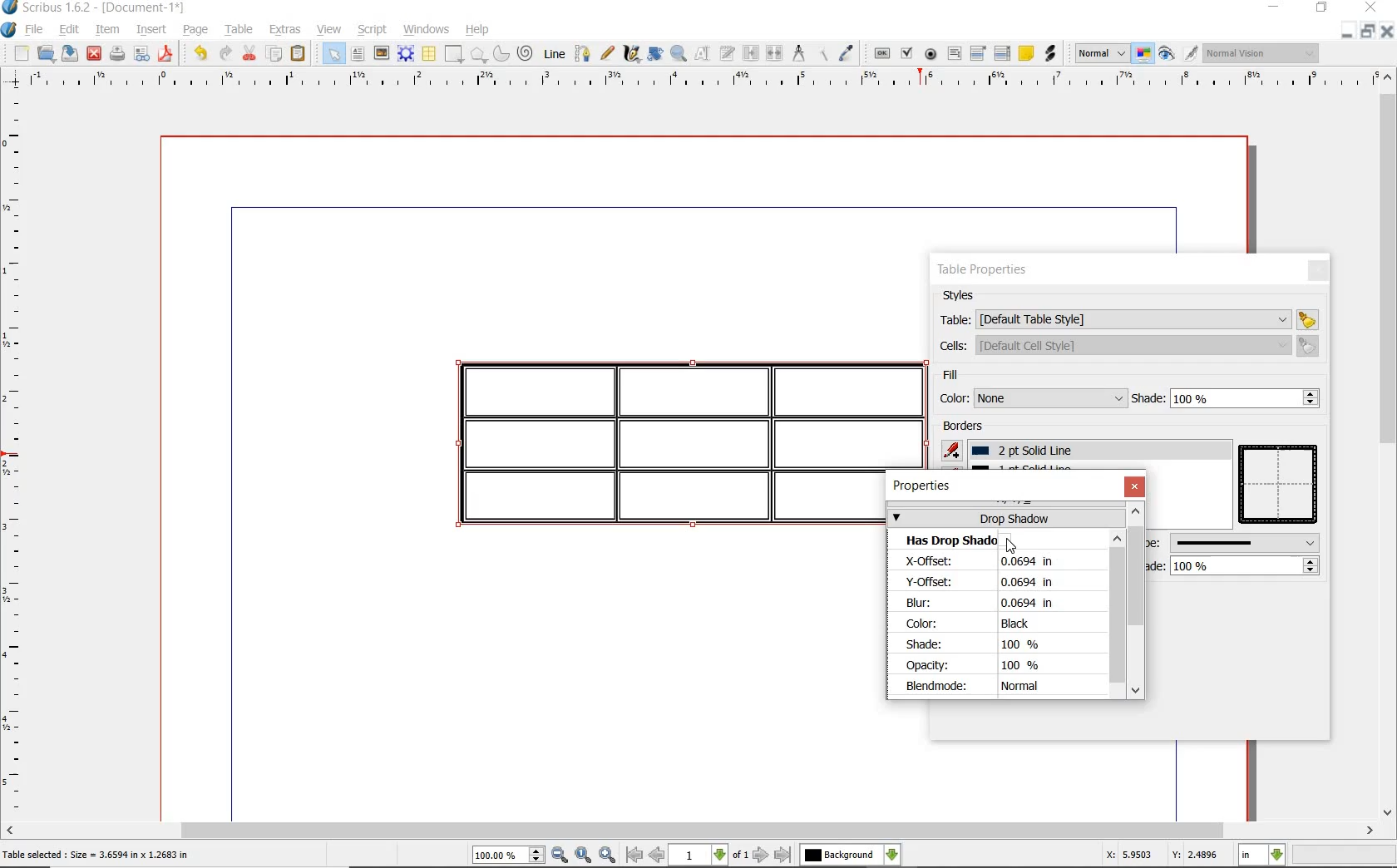 The width and height of the screenshot is (1397, 868). Describe the element at coordinates (852, 853) in the screenshot. I see `select the current layer` at that location.